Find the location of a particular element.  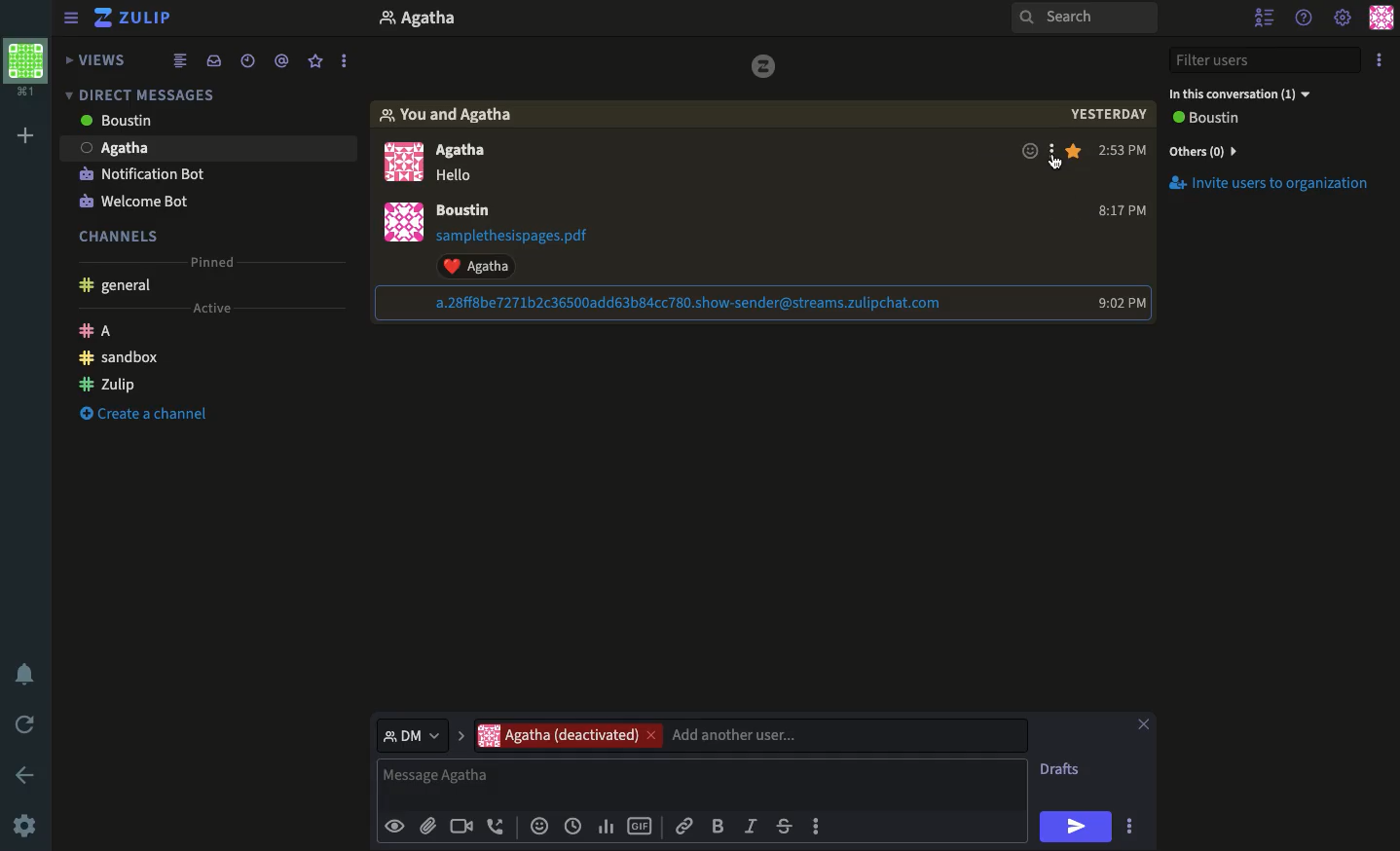

star is located at coordinates (1079, 152).